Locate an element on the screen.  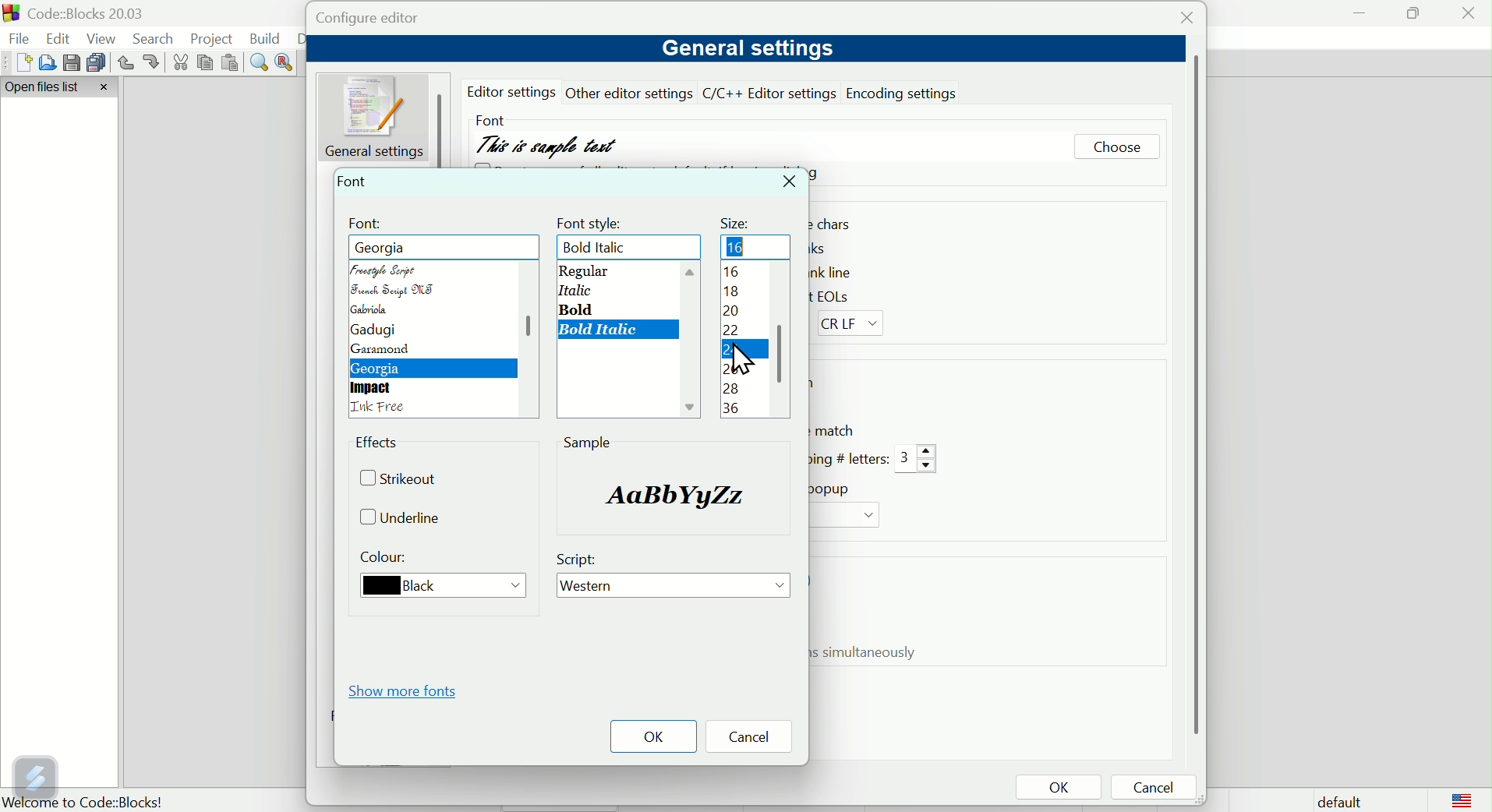
Copy is located at coordinates (206, 63).